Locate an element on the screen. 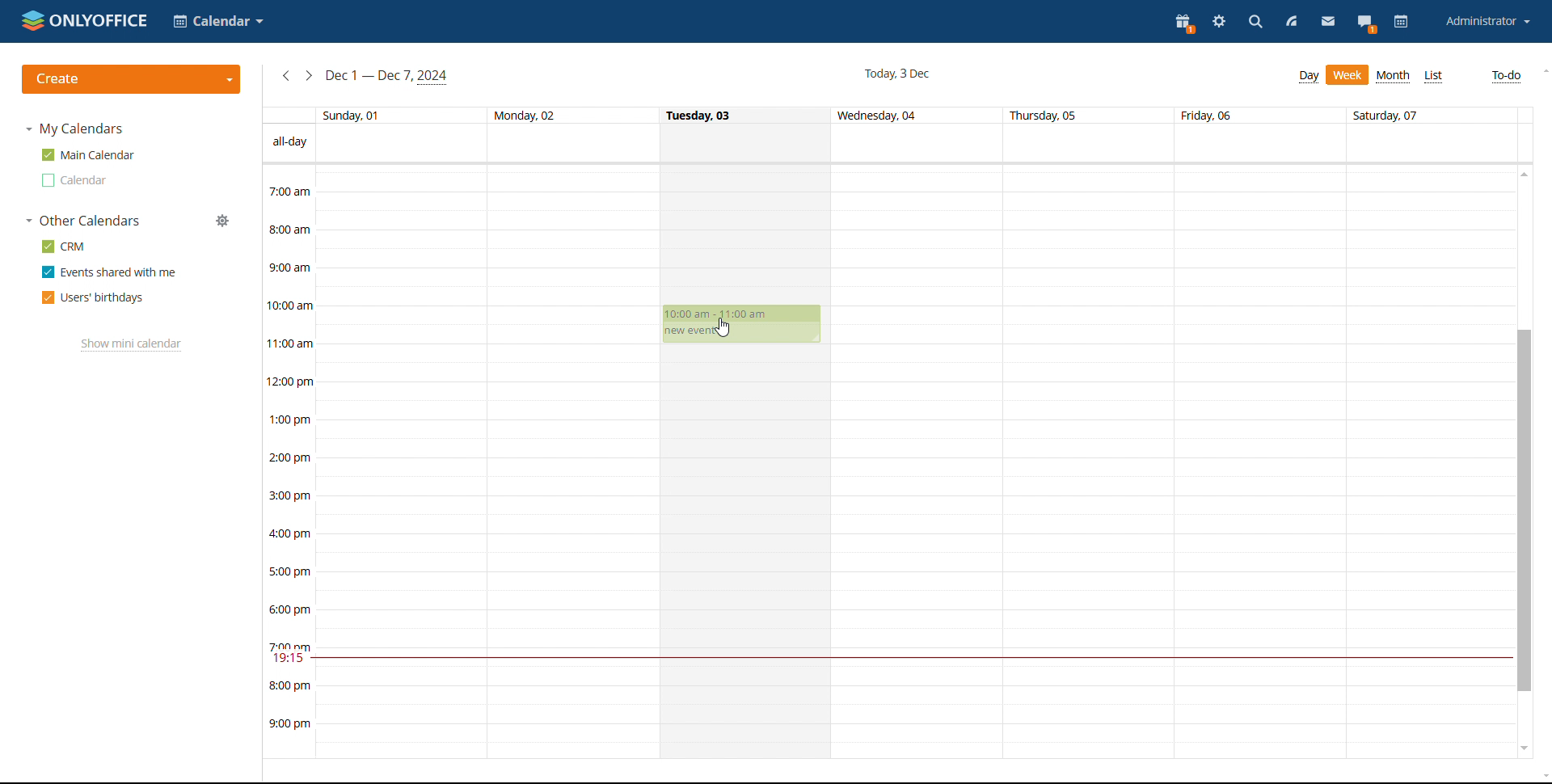 The image size is (1552, 784). 10:00 am - 11:00 am is located at coordinates (727, 314).